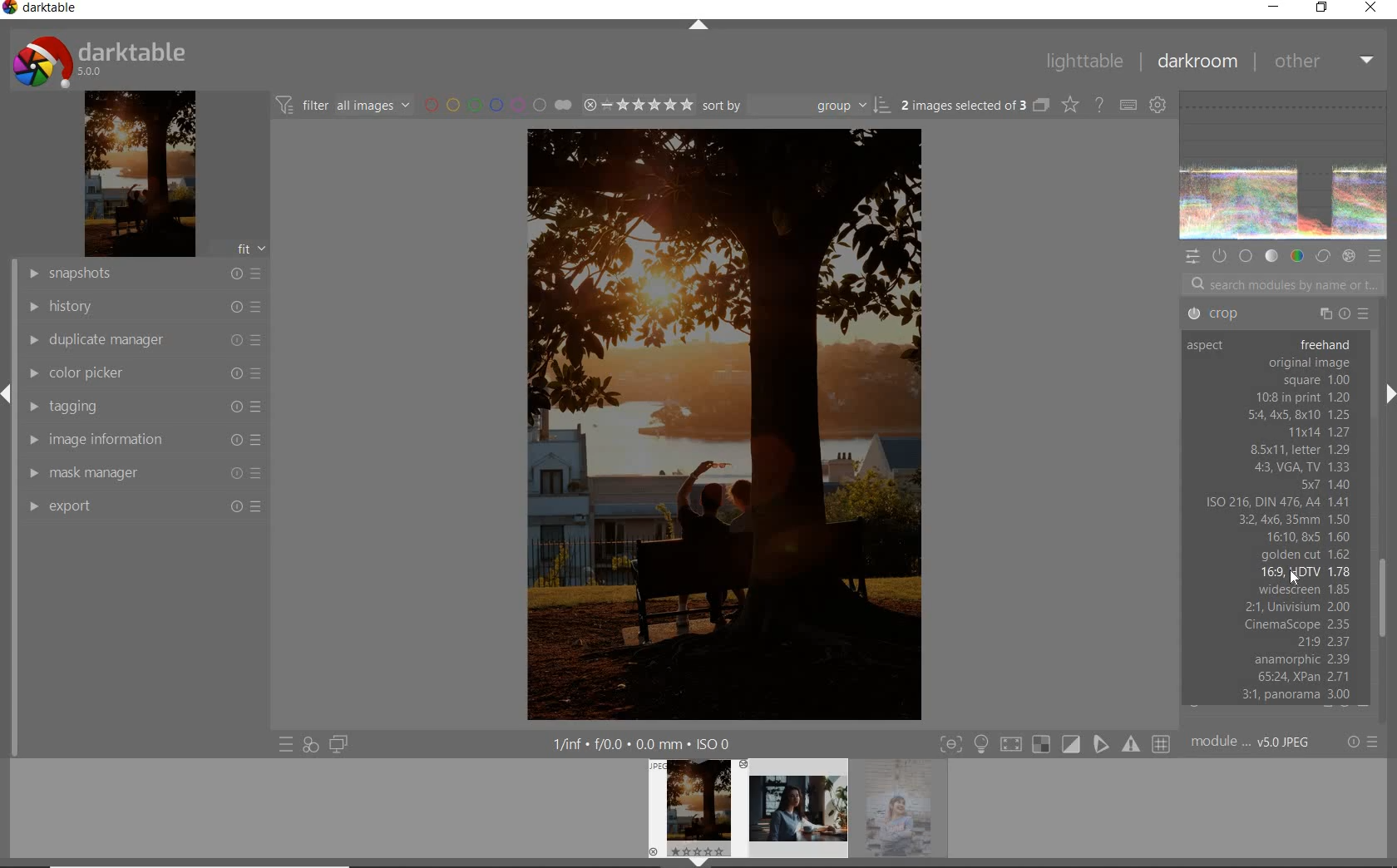 This screenshot has width=1397, height=868. Describe the element at coordinates (1321, 255) in the screenshot. I see `correct` at that location.